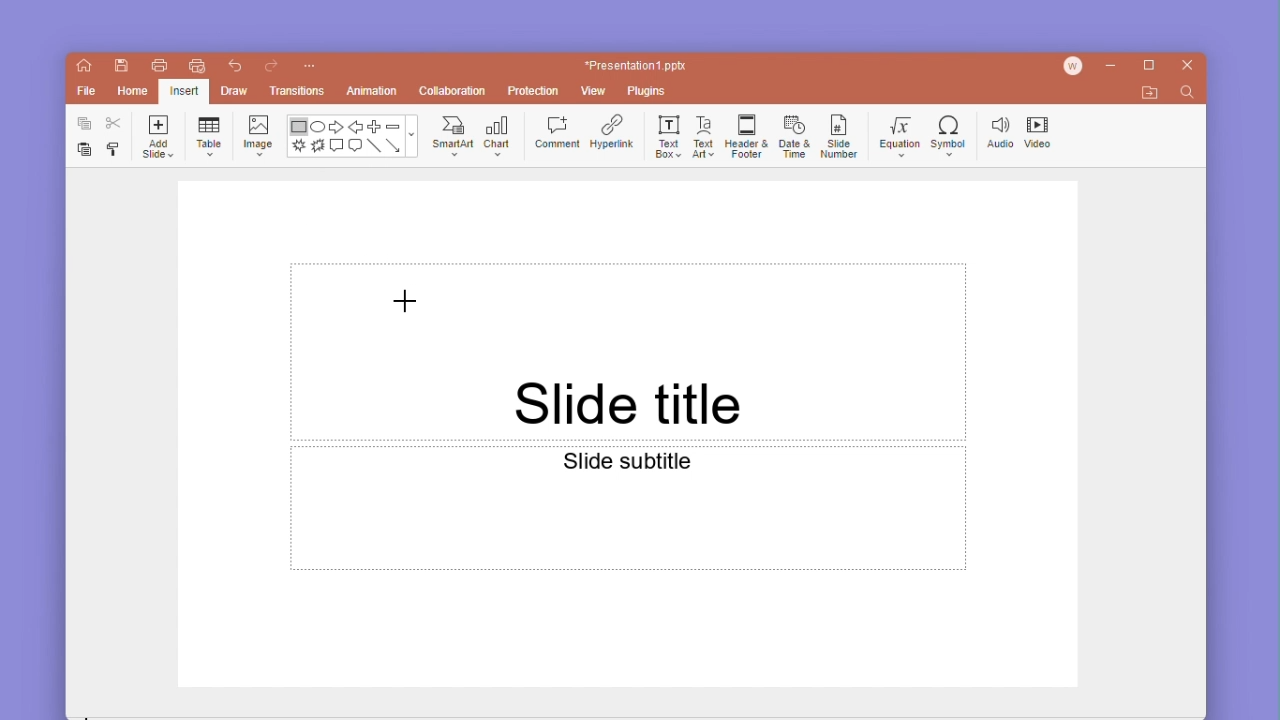 The image size is (1280, 720). I want to click on back arrow, so click(354, 125).